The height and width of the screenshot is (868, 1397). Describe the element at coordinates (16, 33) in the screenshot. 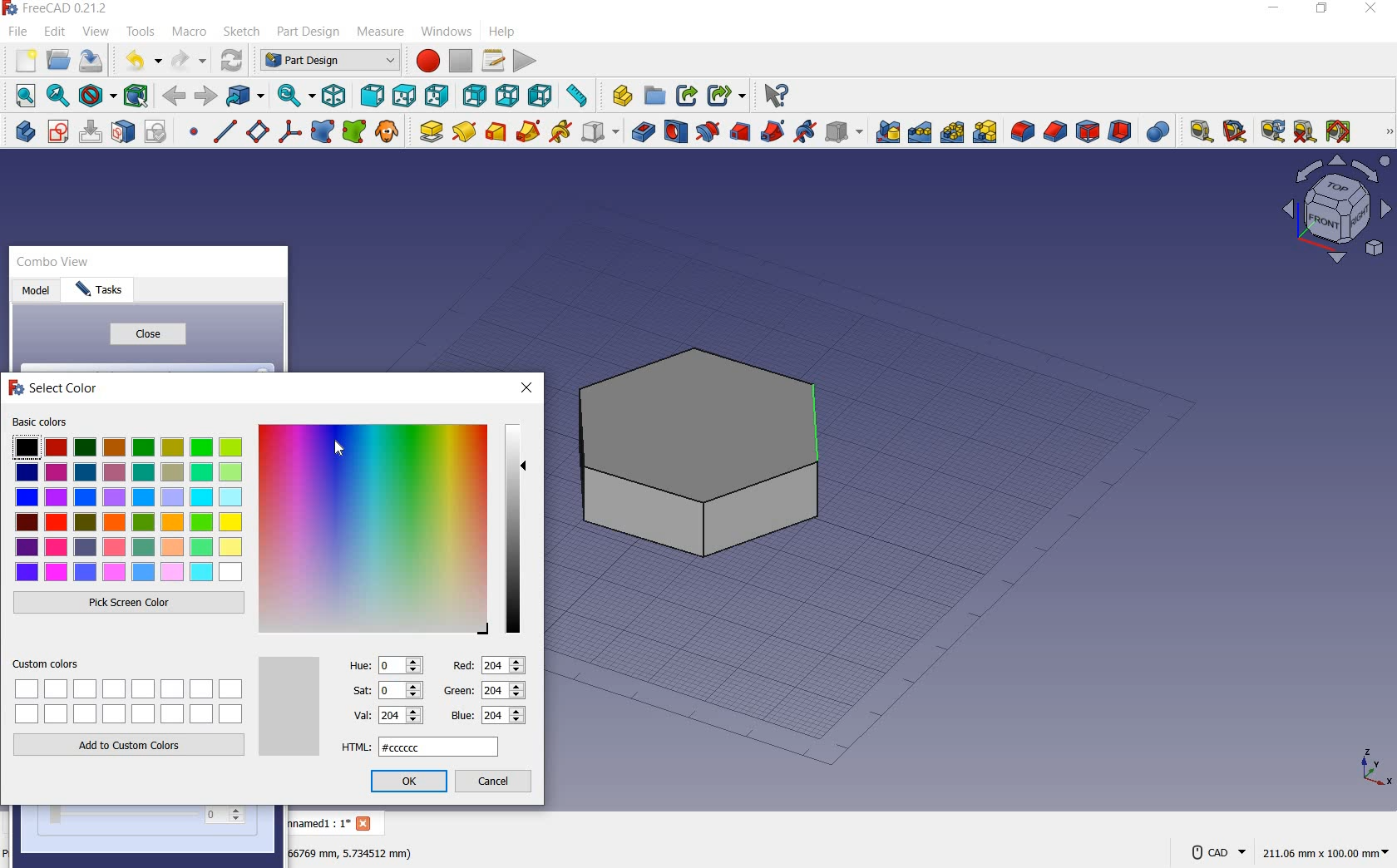

I see `file` at that location.